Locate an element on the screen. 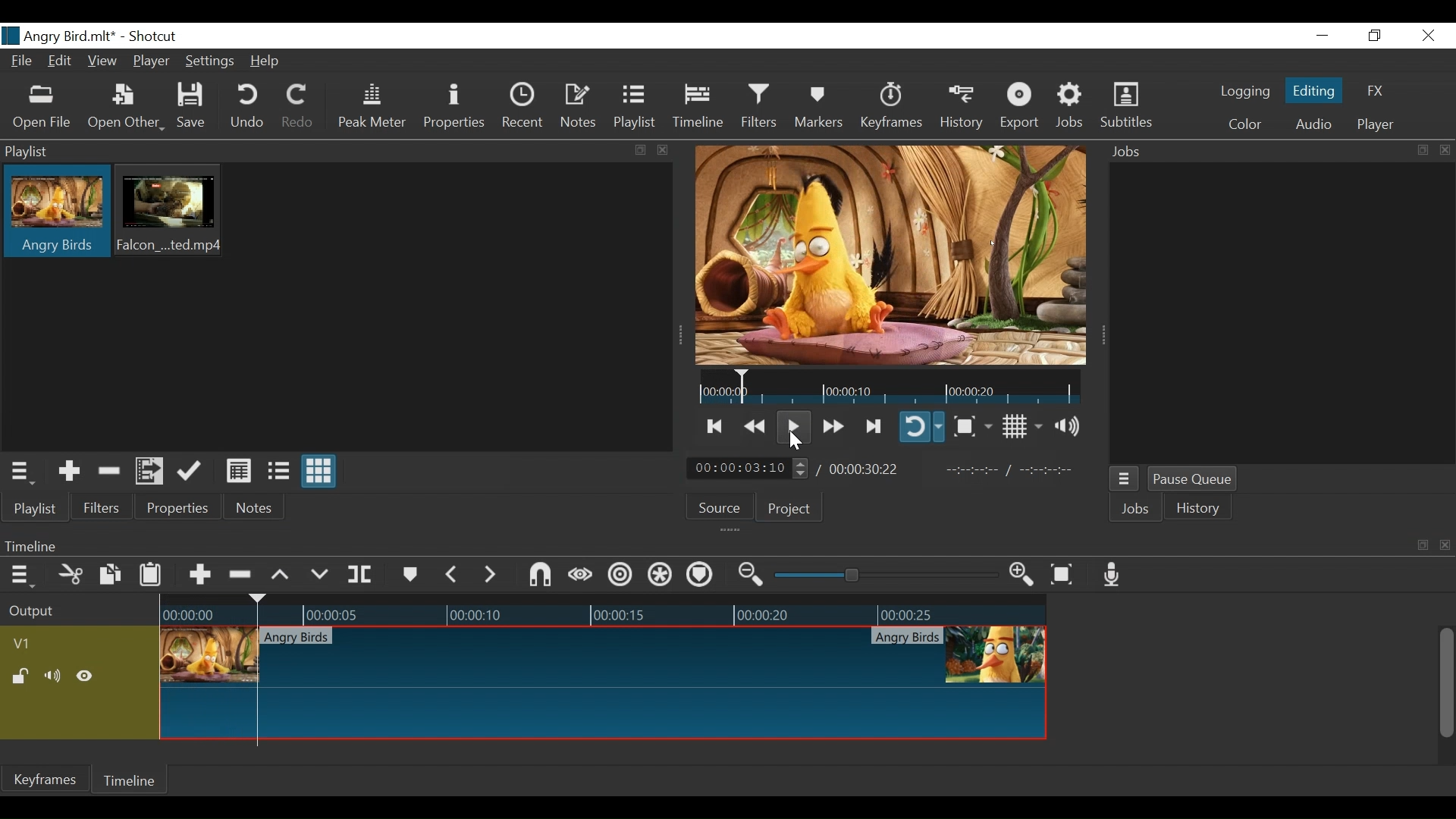 This screenshot has height=819, width=1456. View as Detail is located at coordinates (238, 469).